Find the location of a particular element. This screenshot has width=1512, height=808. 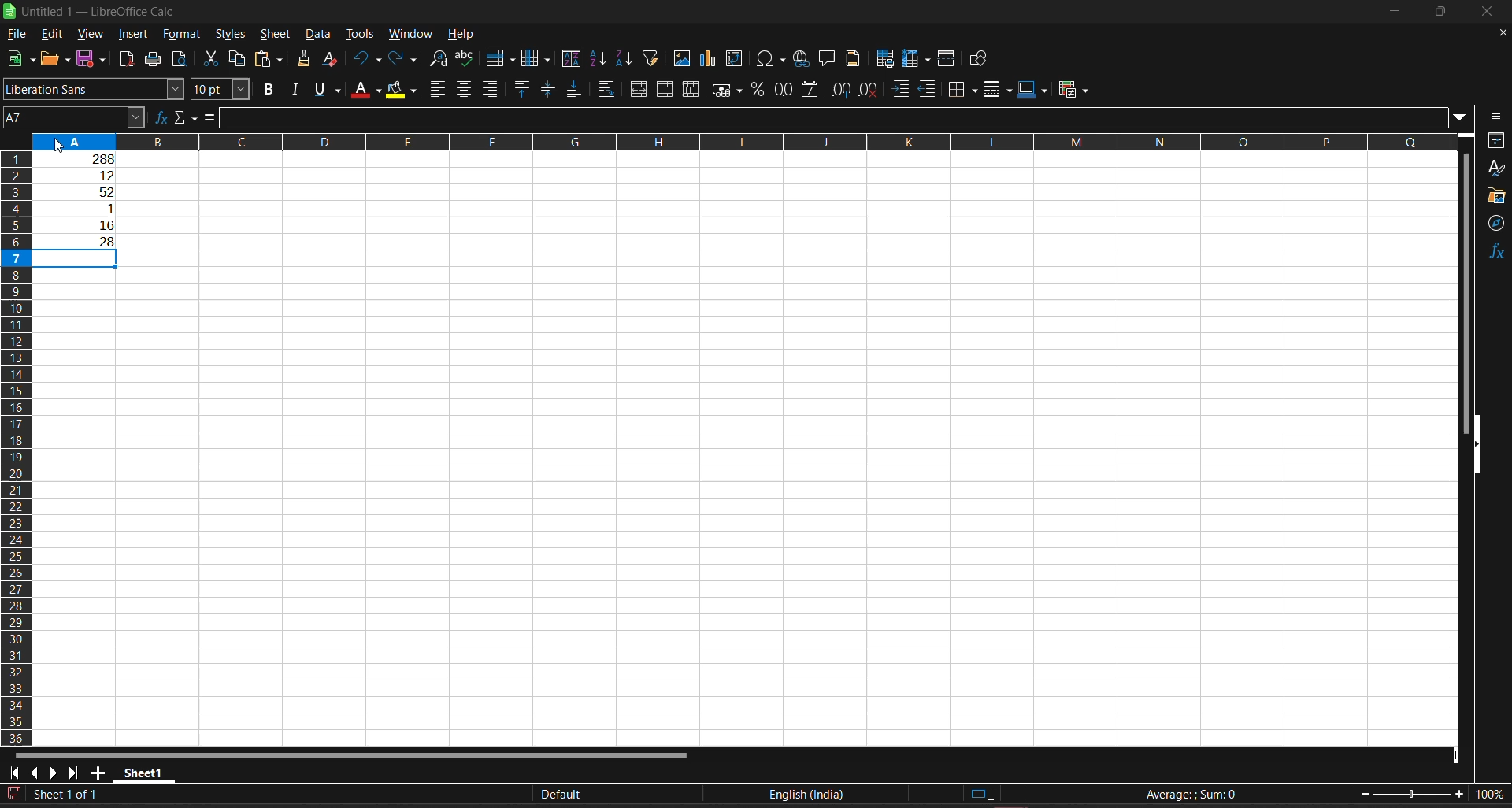

formula is located at coordinates (211, 117).